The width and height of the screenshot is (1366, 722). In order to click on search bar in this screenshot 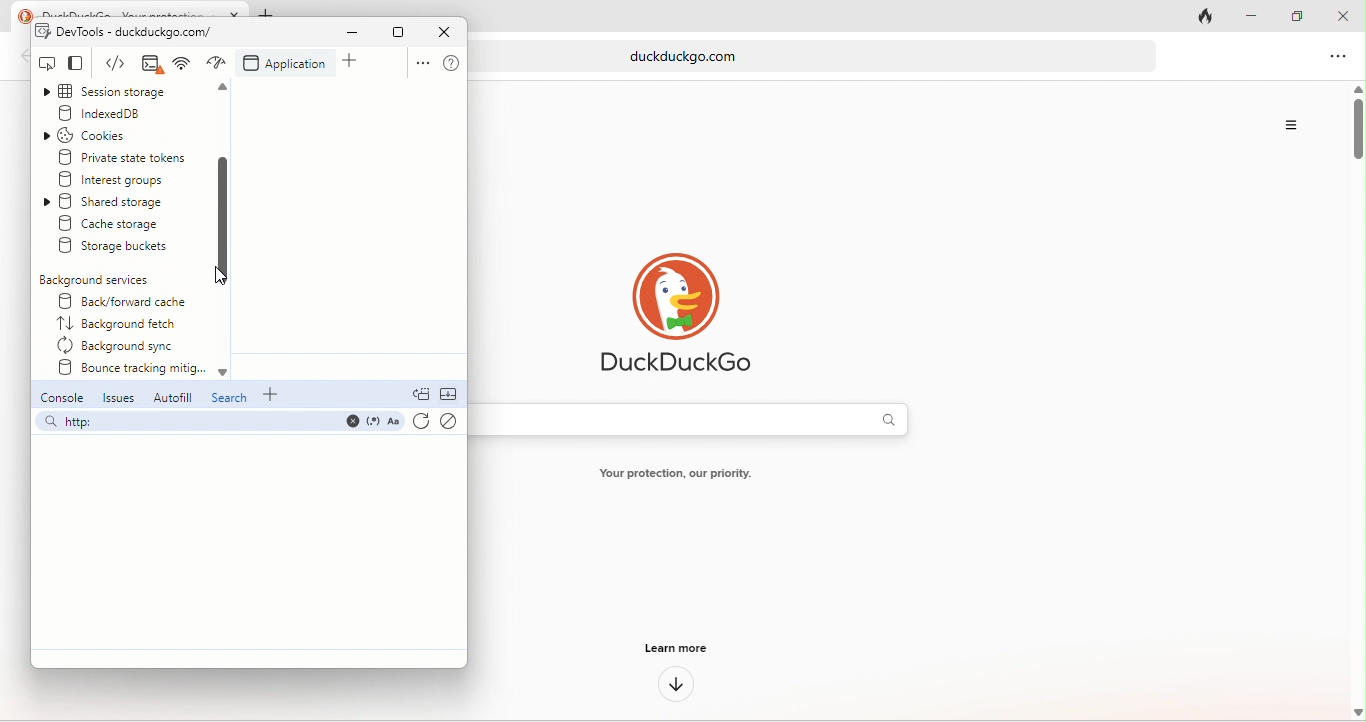, I will do `click(218, 424)`.